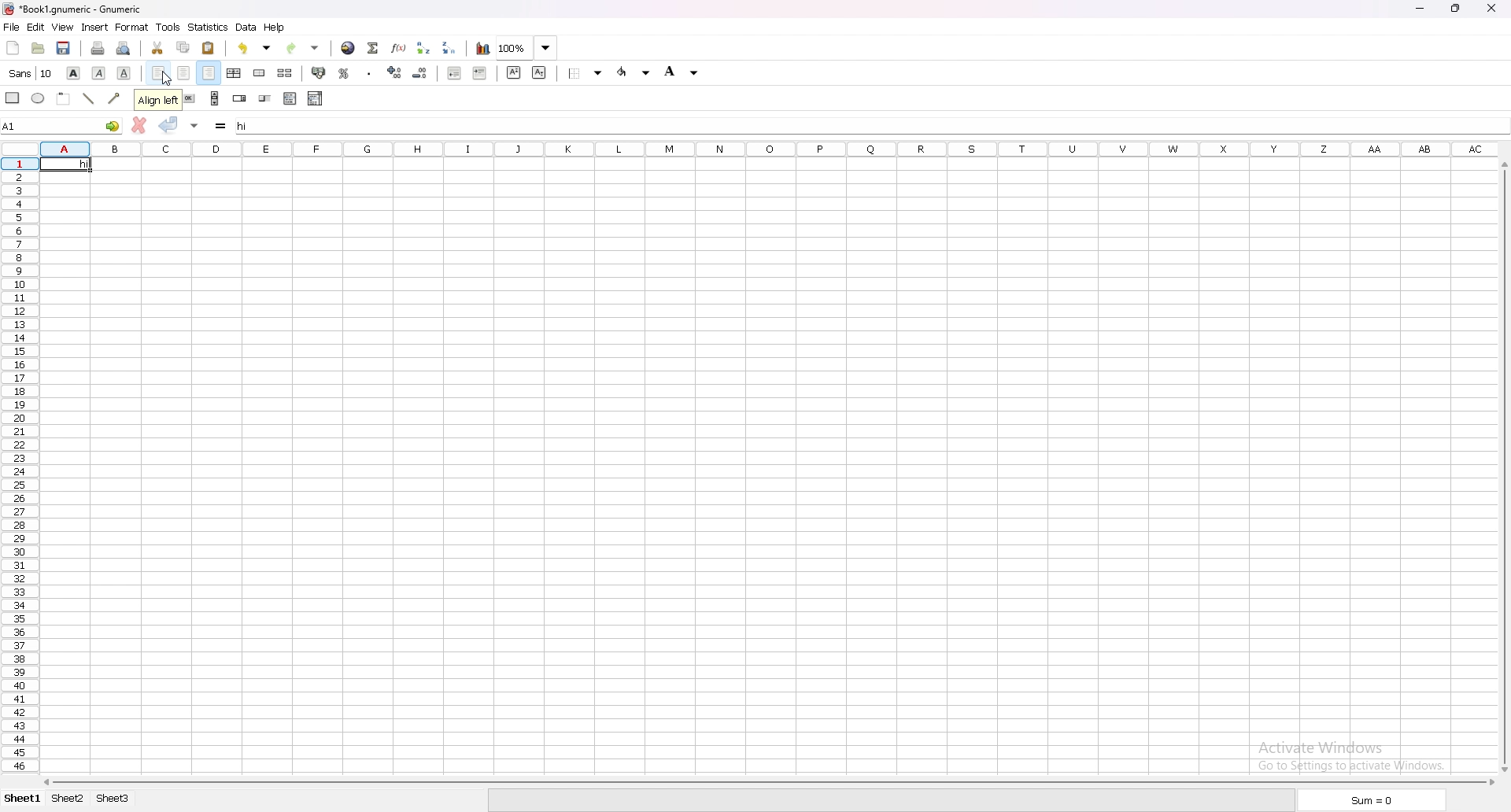 This screenshot has width=1511, height=812. I want to click on align left, so click(154, 98).